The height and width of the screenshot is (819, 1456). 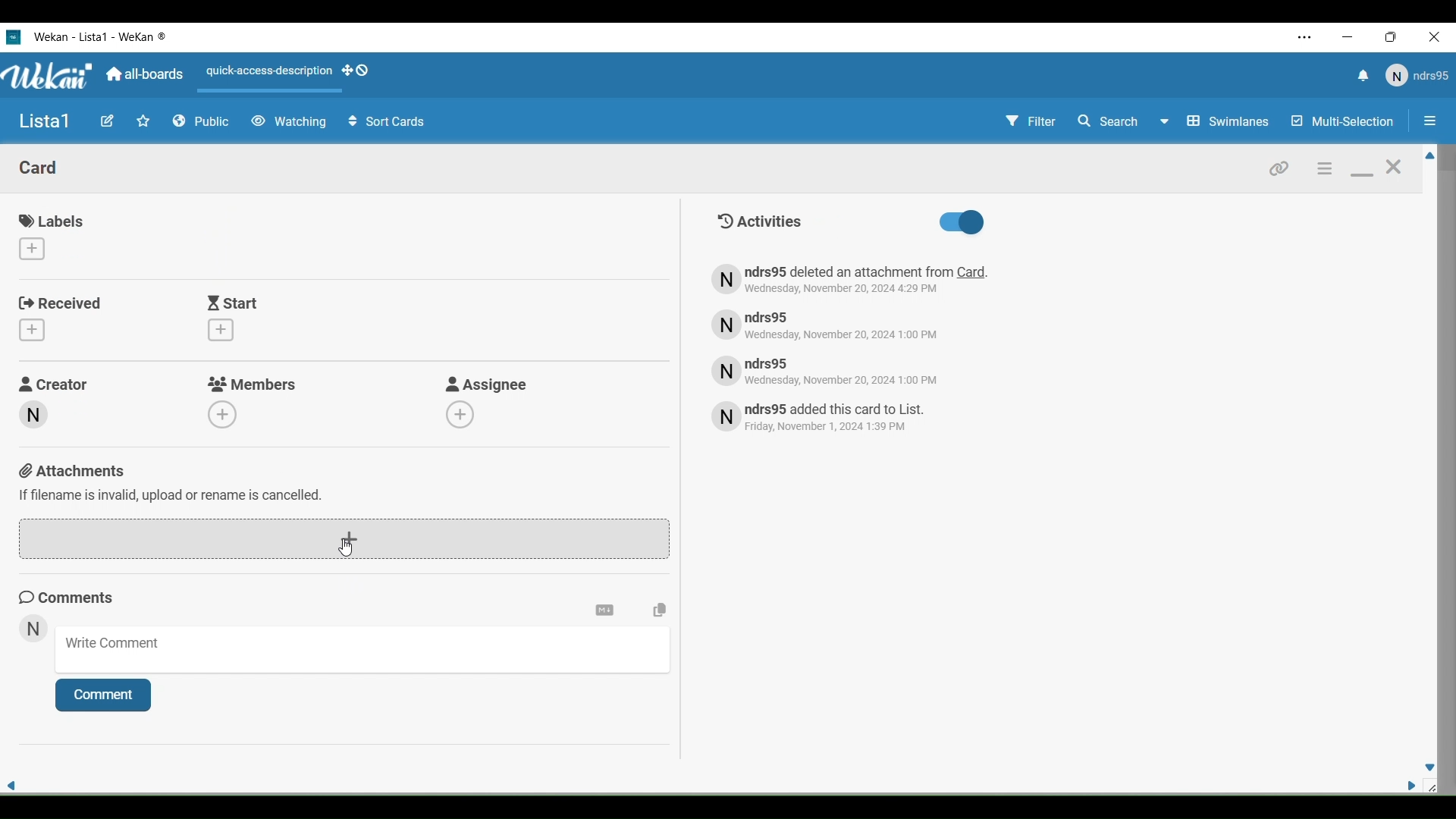 I want to click on Start, so click(x=234, y=303).